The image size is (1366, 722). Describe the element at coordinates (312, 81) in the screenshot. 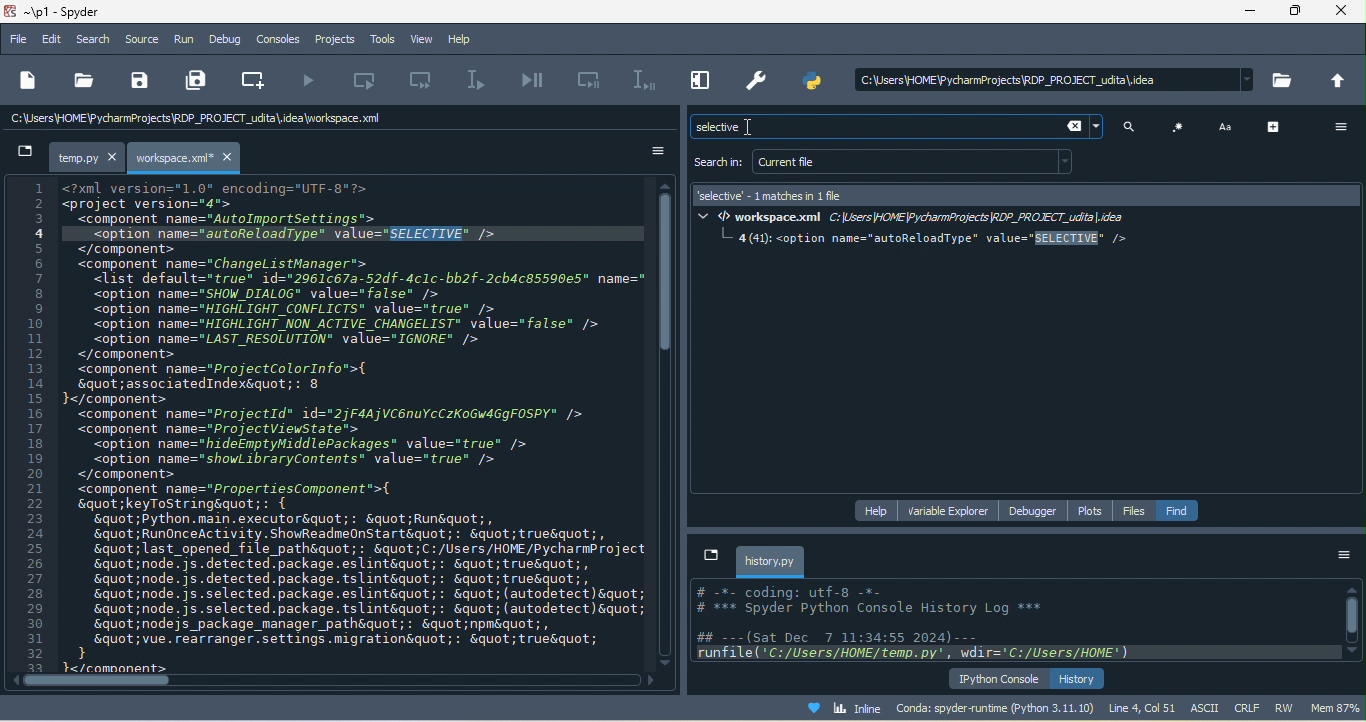

I see `run file` at that location.